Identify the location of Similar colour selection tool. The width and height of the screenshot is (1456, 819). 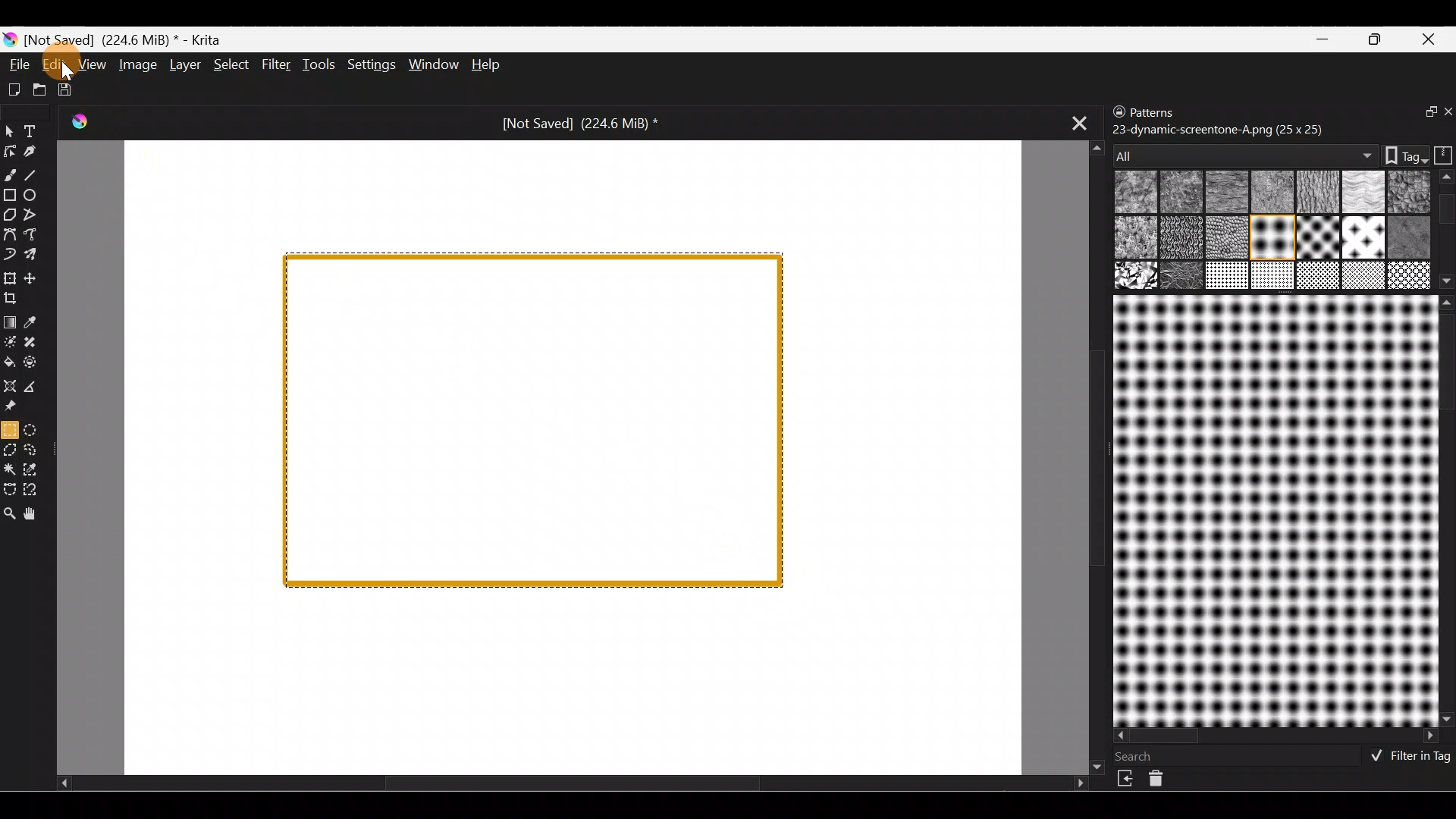
(36, 472).